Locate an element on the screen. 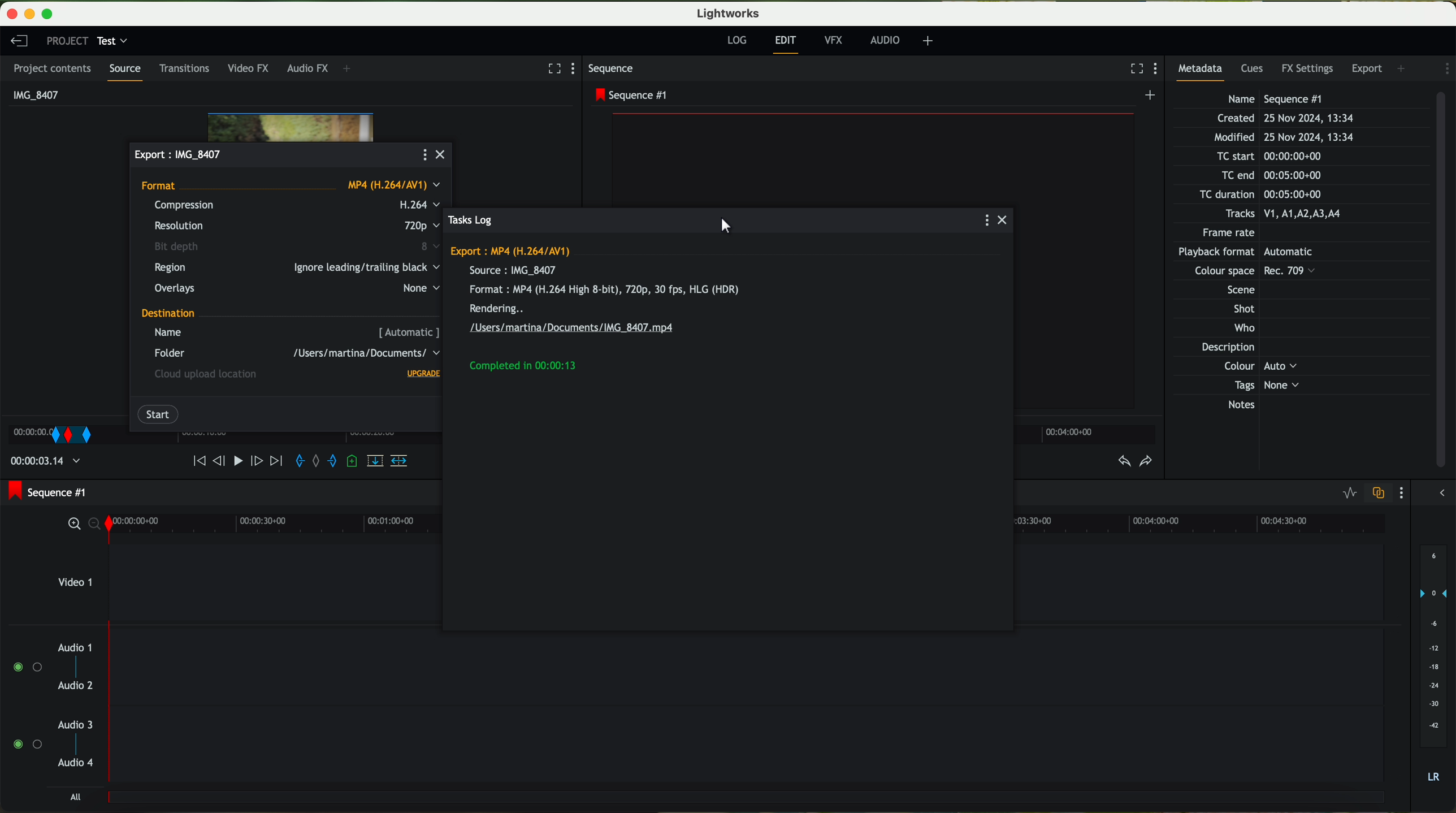  redo is located at coordinates (1146, 462).